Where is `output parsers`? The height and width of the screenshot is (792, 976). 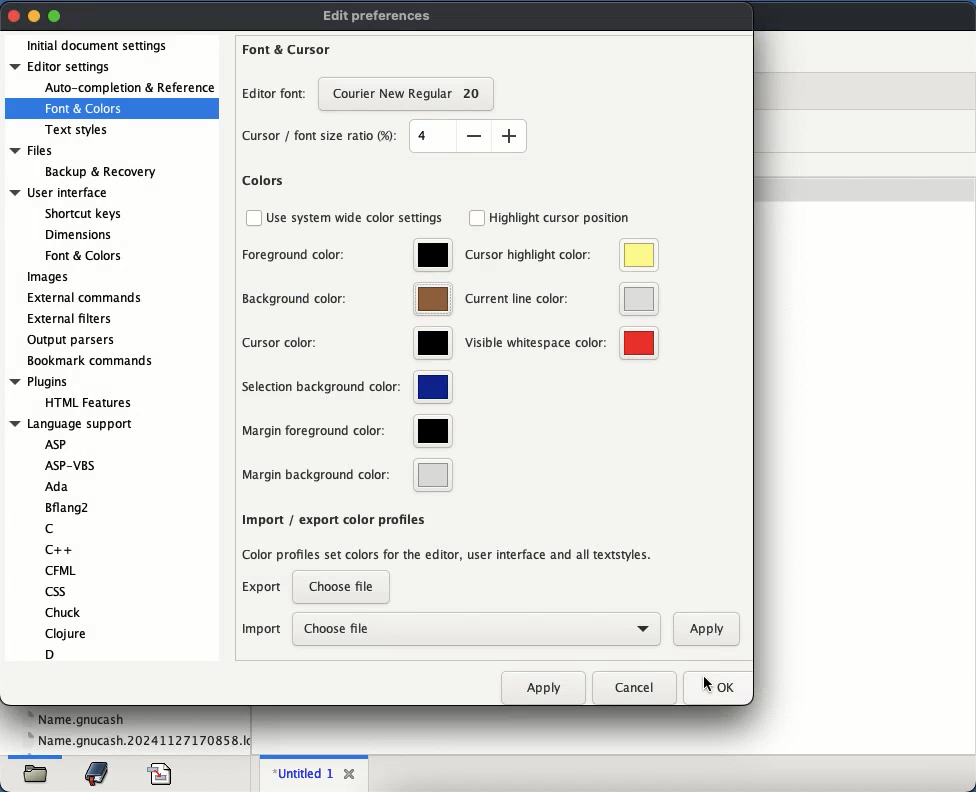
output parsers is located at coordinates (74, 341).